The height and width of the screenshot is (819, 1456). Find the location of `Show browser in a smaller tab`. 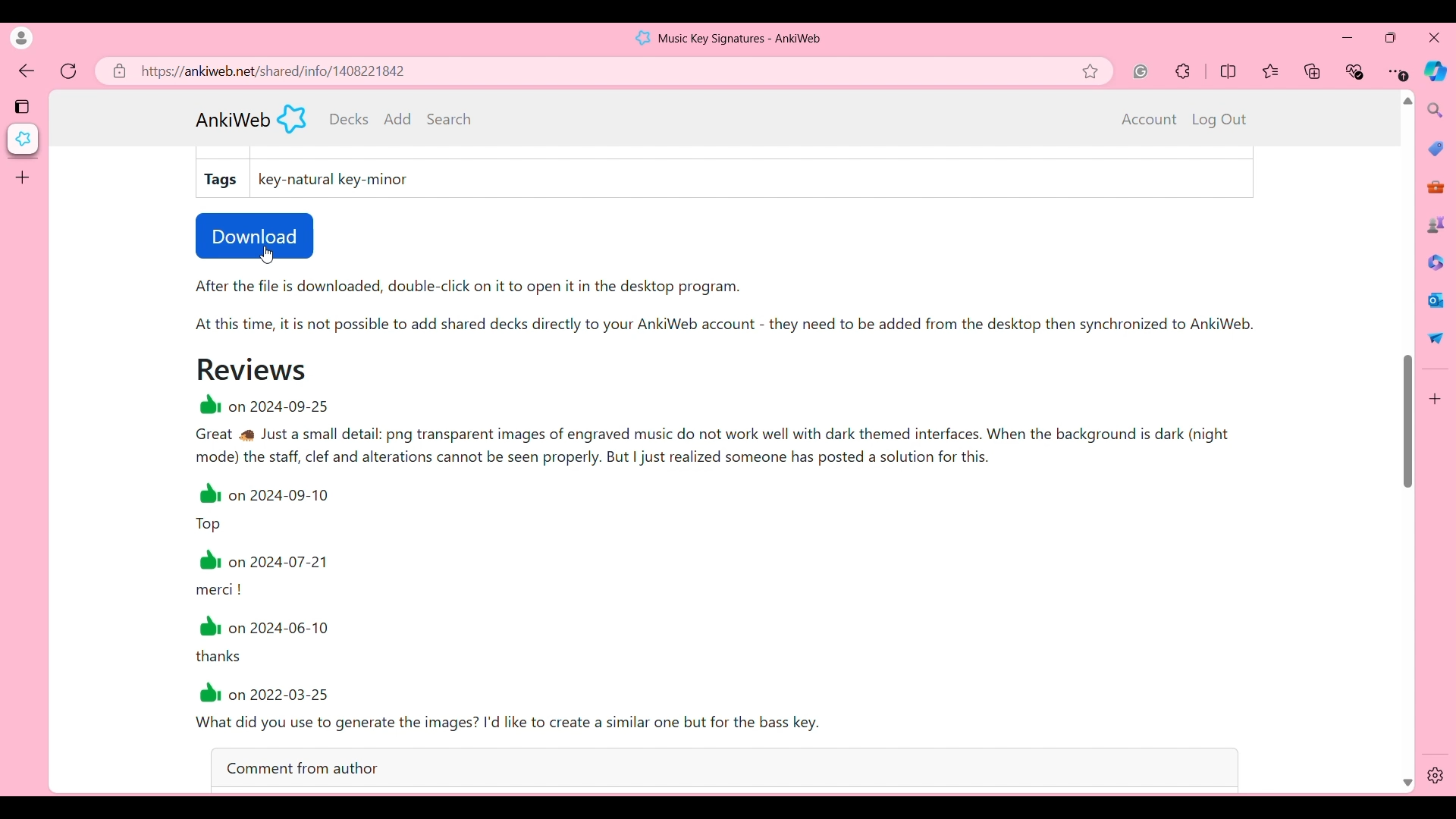

Show browser in a smaller tab is located at coordinates (1391, 37).